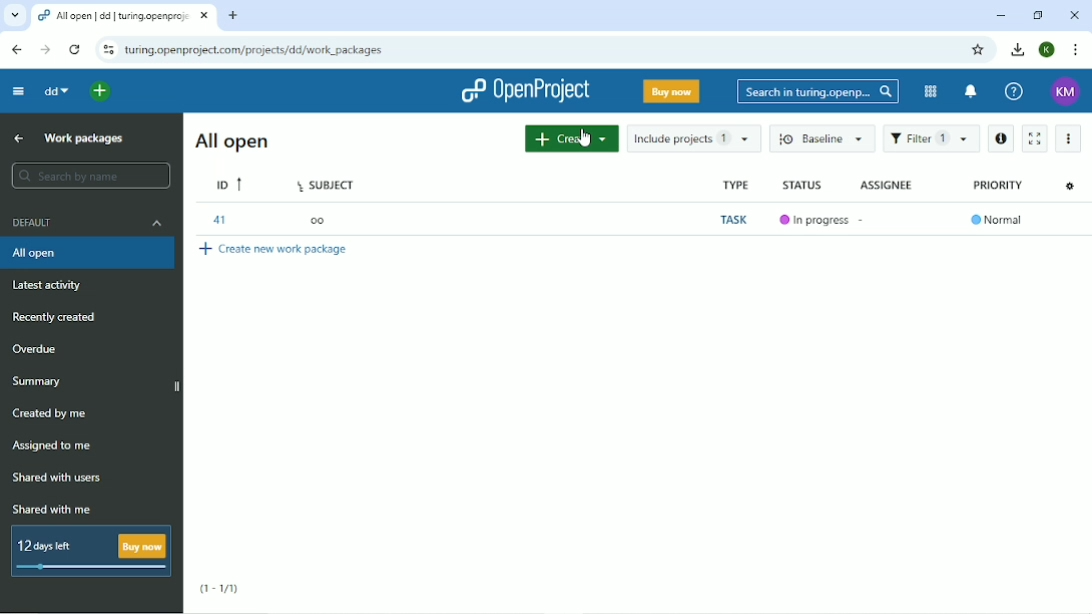  I want to click on Assigned to me, so click(53, 446).